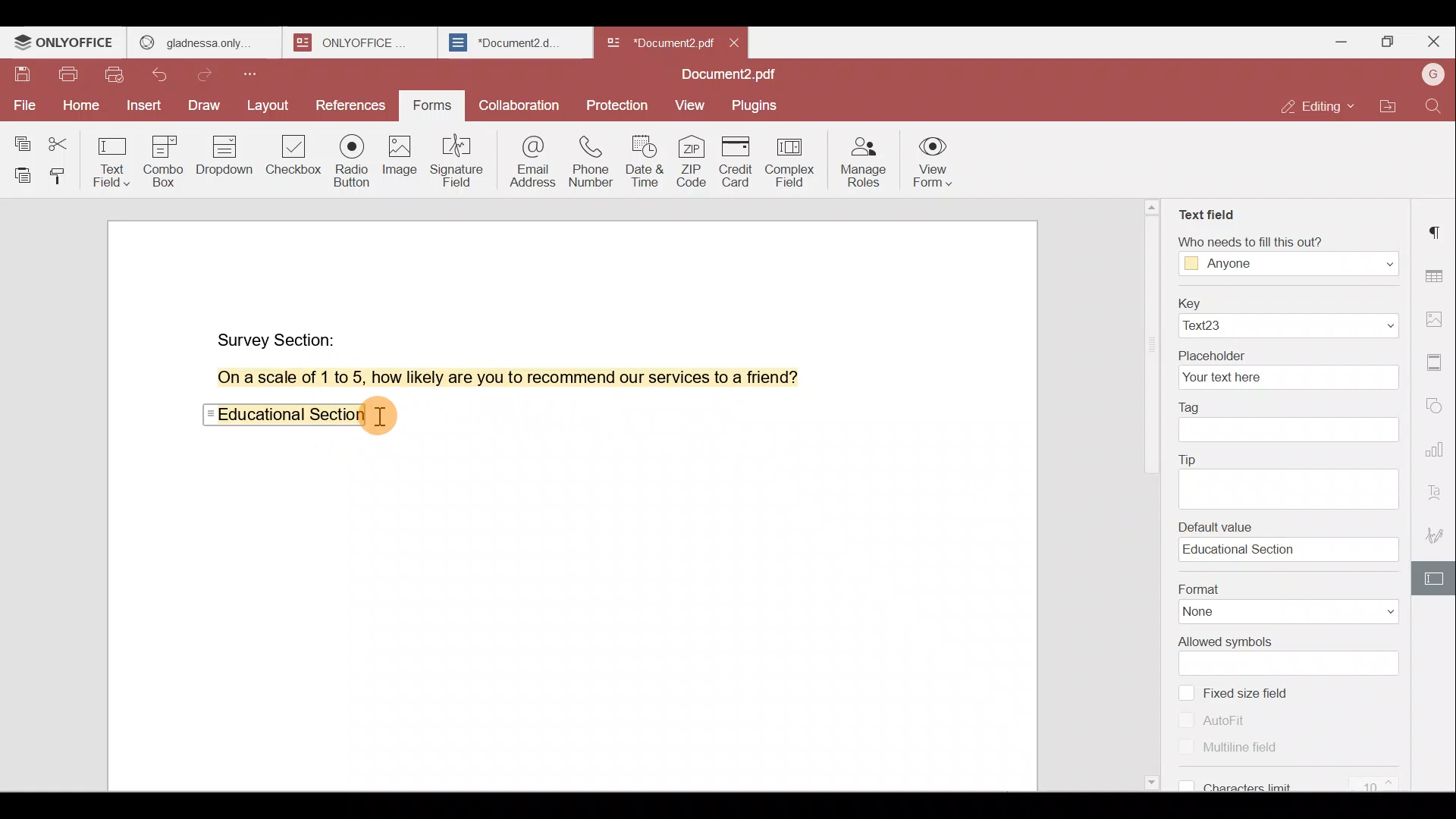  I want to click on Layout, so click(268, 106).